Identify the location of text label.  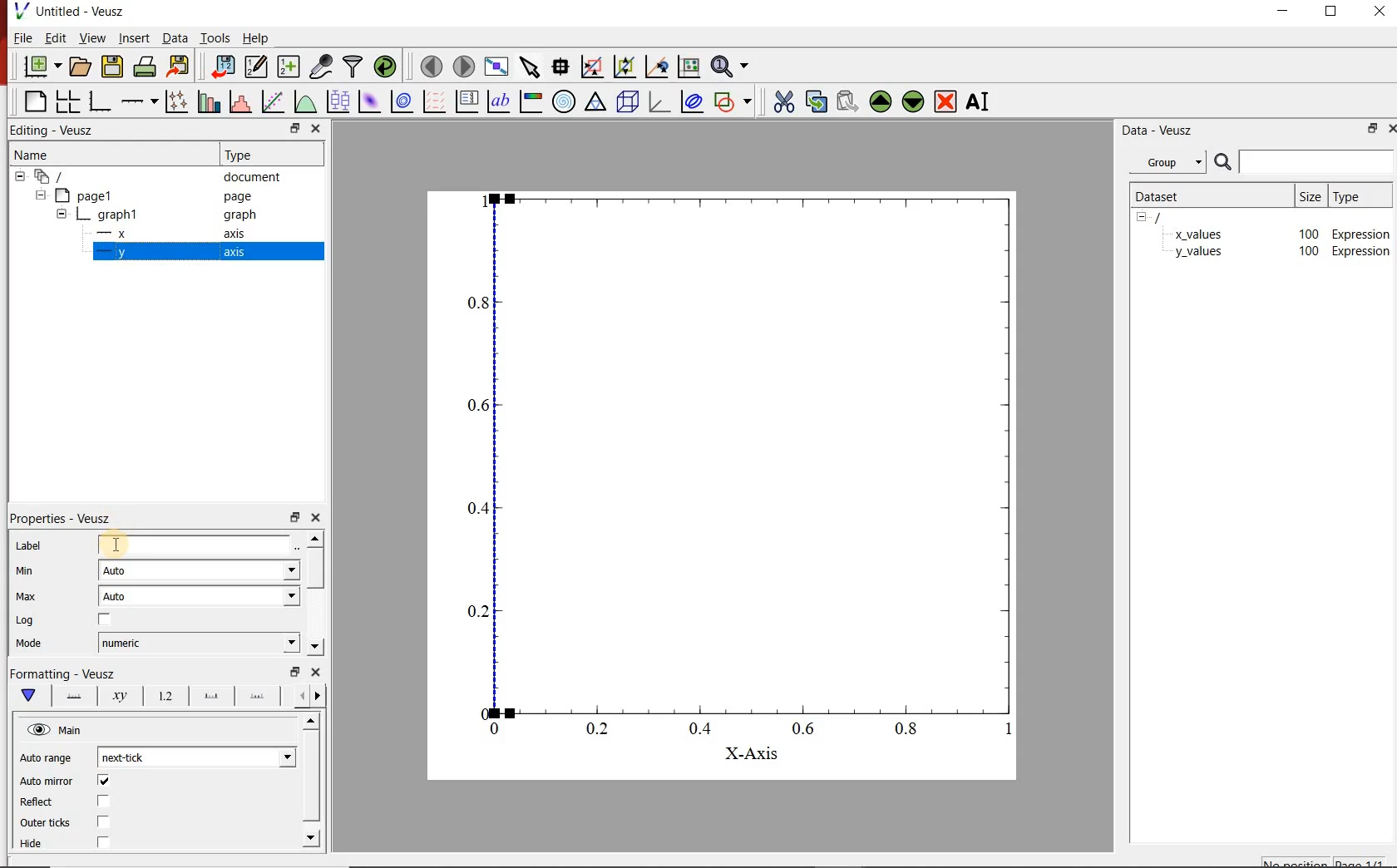
(496, 101).